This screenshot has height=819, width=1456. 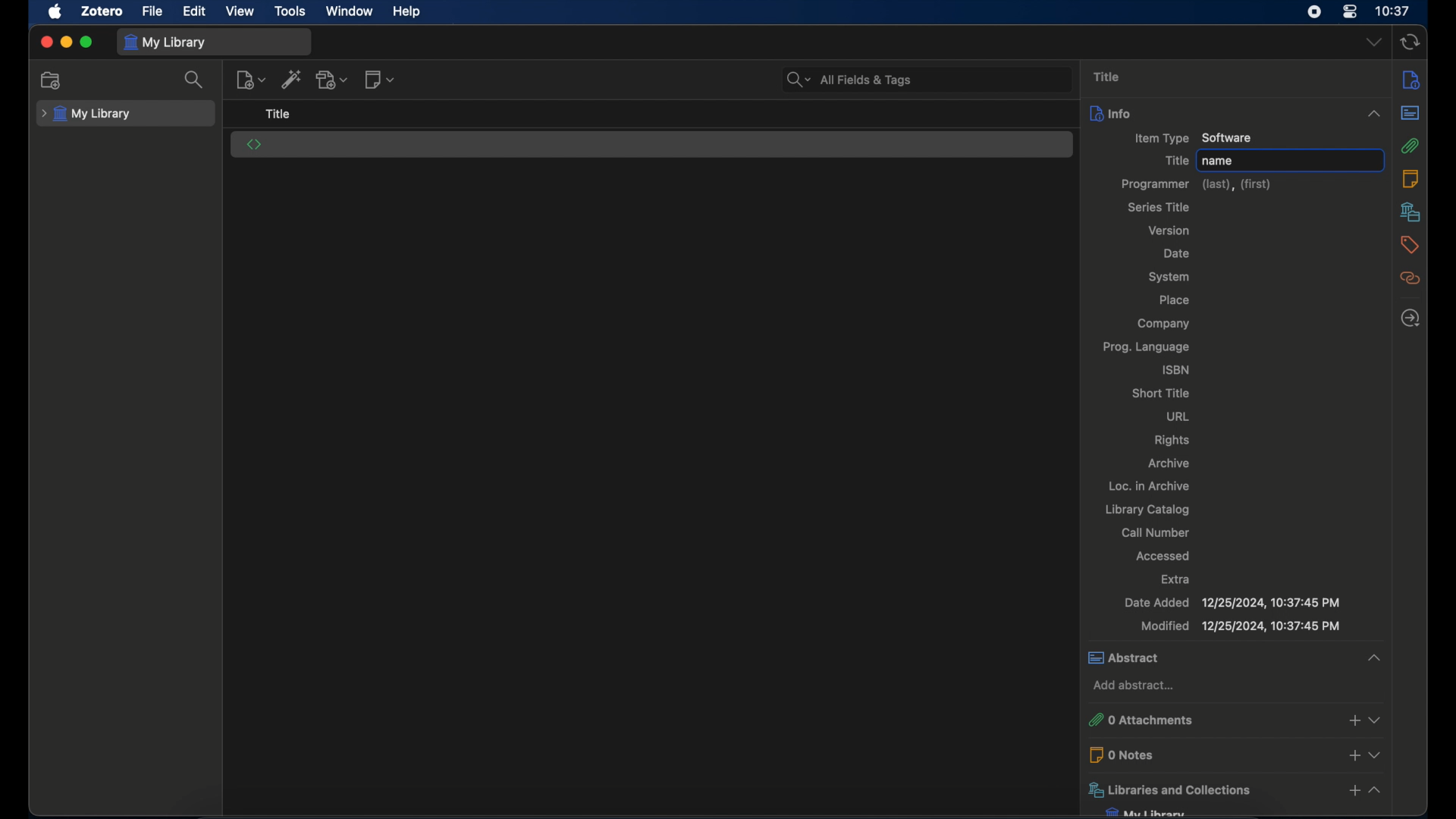 I want to click on loc. in archive, so click(x=1150, y=485).